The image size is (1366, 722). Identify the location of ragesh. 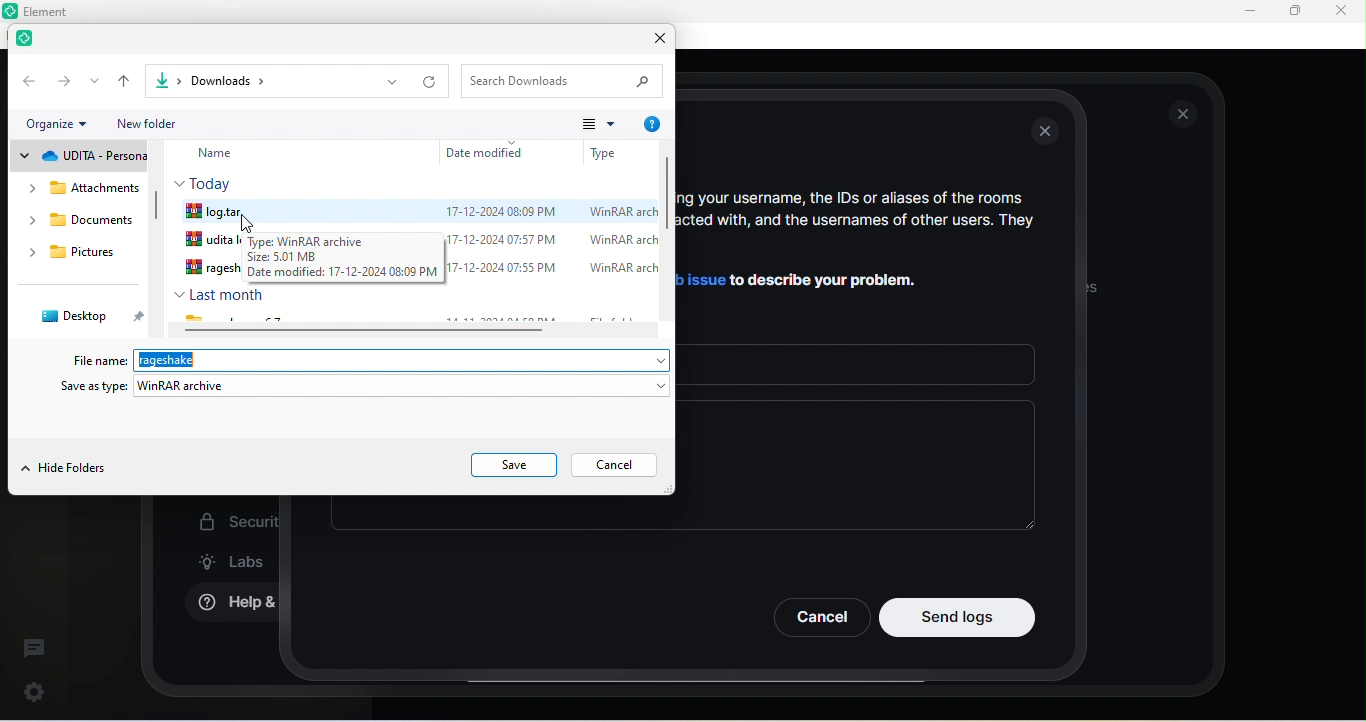
(211, 269).